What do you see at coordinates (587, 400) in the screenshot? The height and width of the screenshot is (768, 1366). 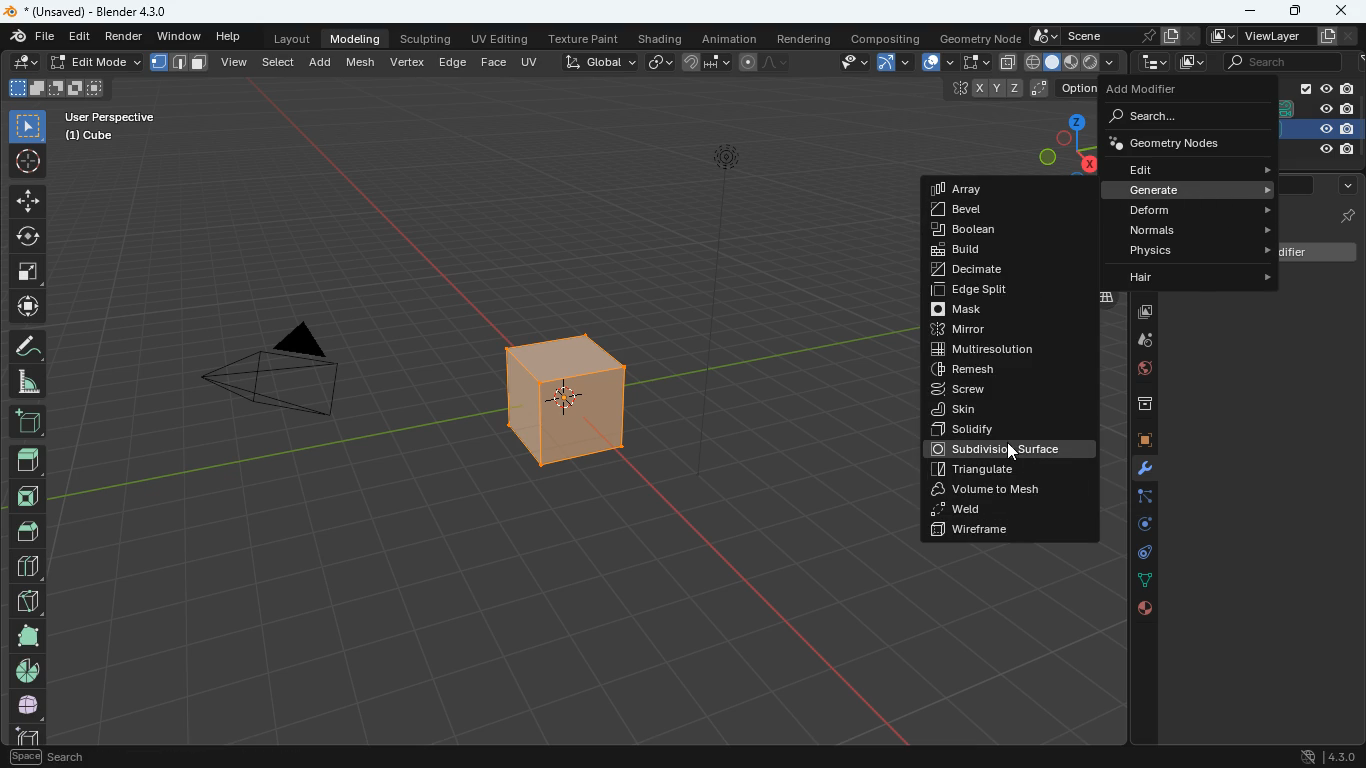 I see `cube` at bounding box center [587, 400].